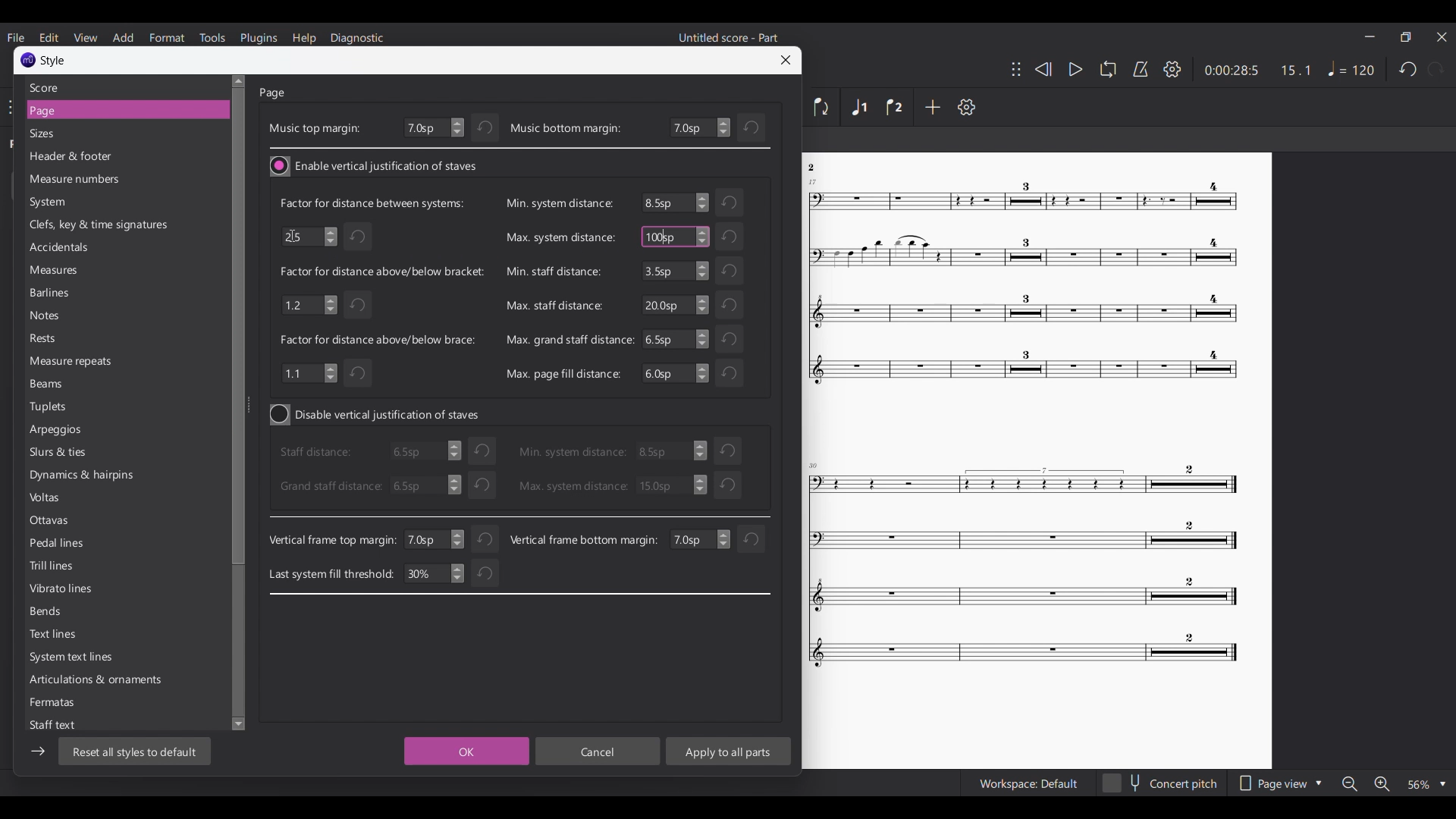 The height and width of the screenshot is (819, 1456). What do you see at coordinates (85, 37) in the screenshot?
I see `View menu` at bounding box center [85, 37].